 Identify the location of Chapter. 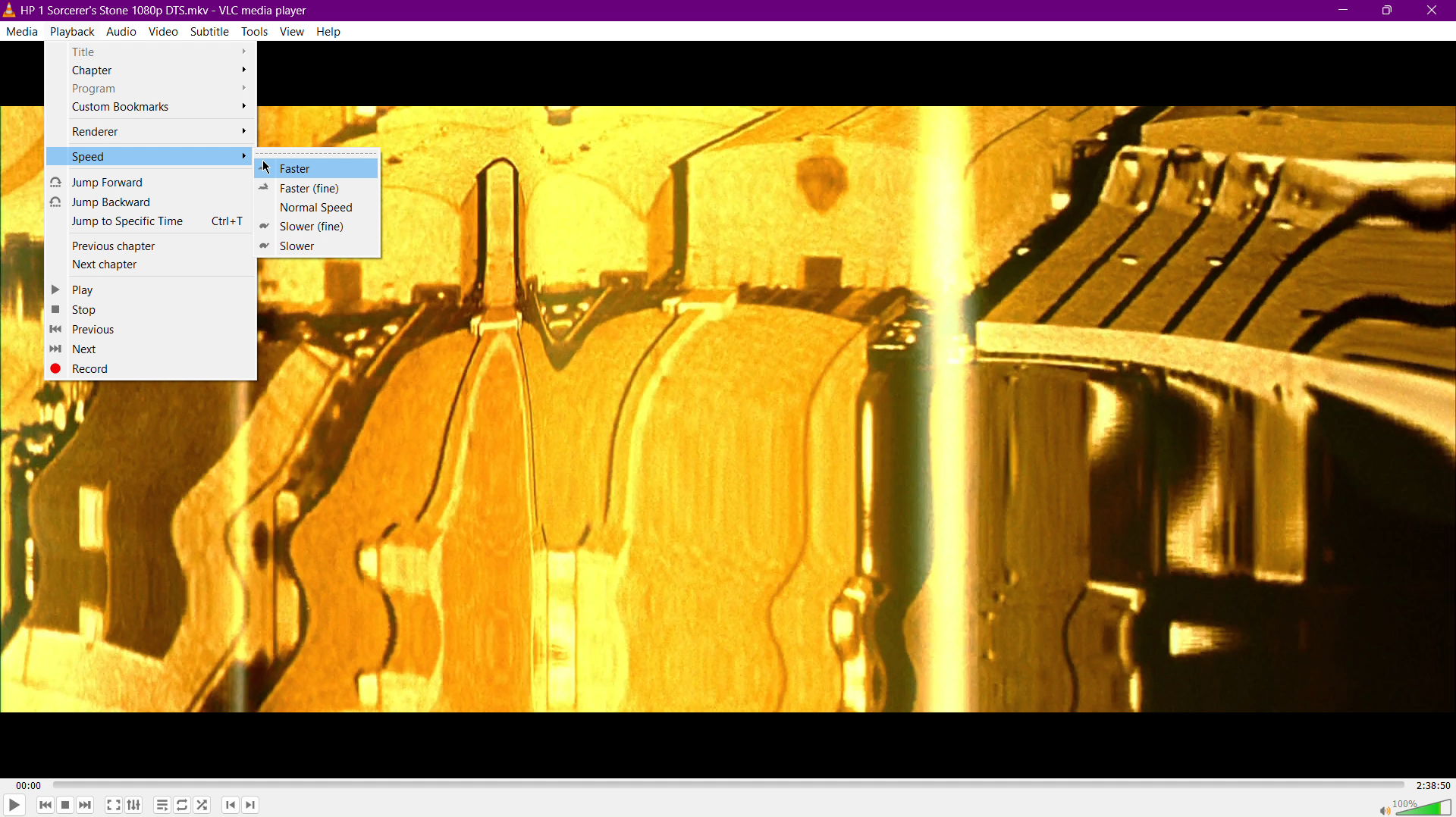
(153, 71).